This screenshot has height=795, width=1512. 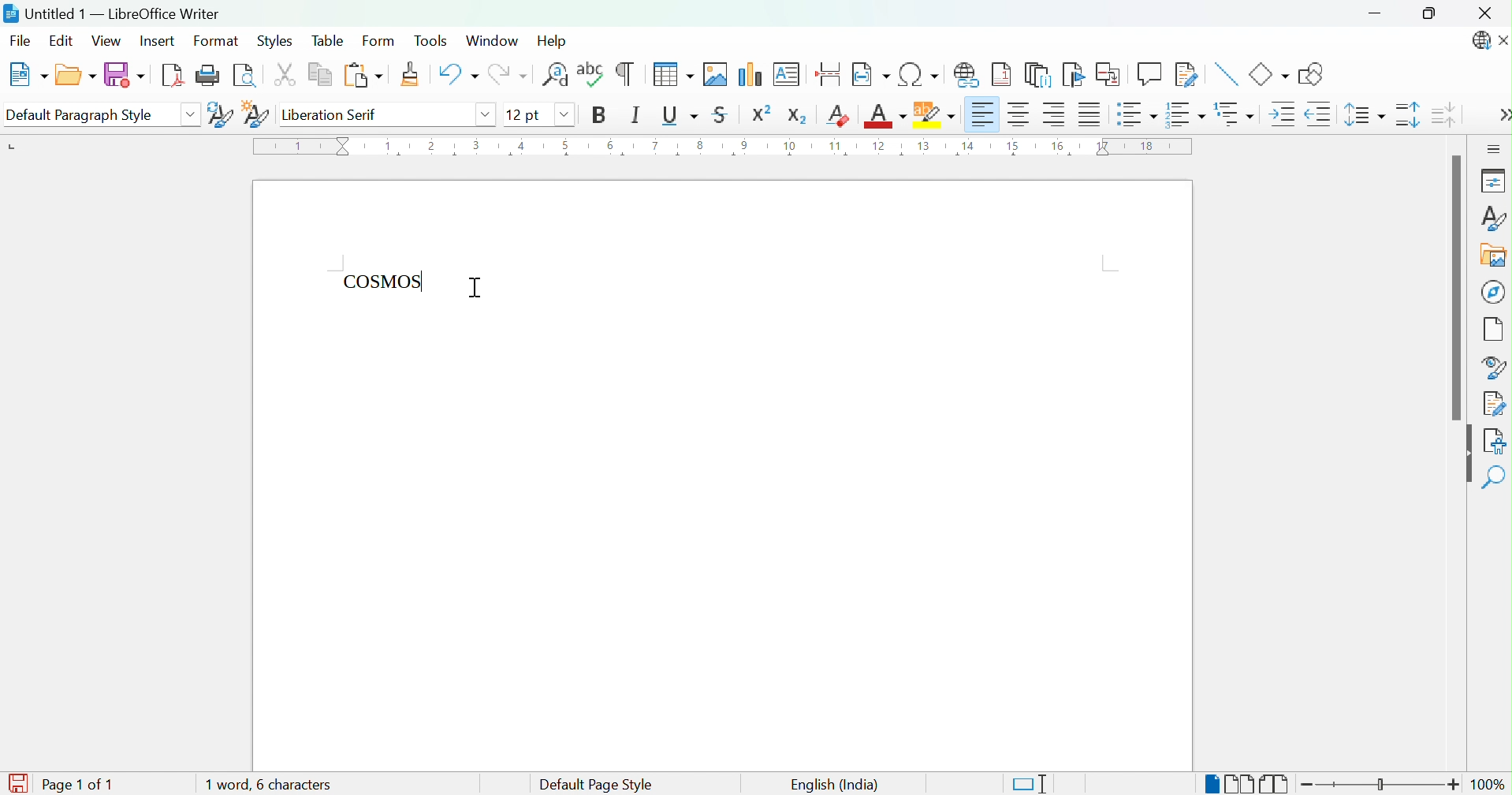 What do you see at coordinates (1187, 75) in the screenshot?
I see `Show Track Changes Functions` at bounding box center [1187, 75].